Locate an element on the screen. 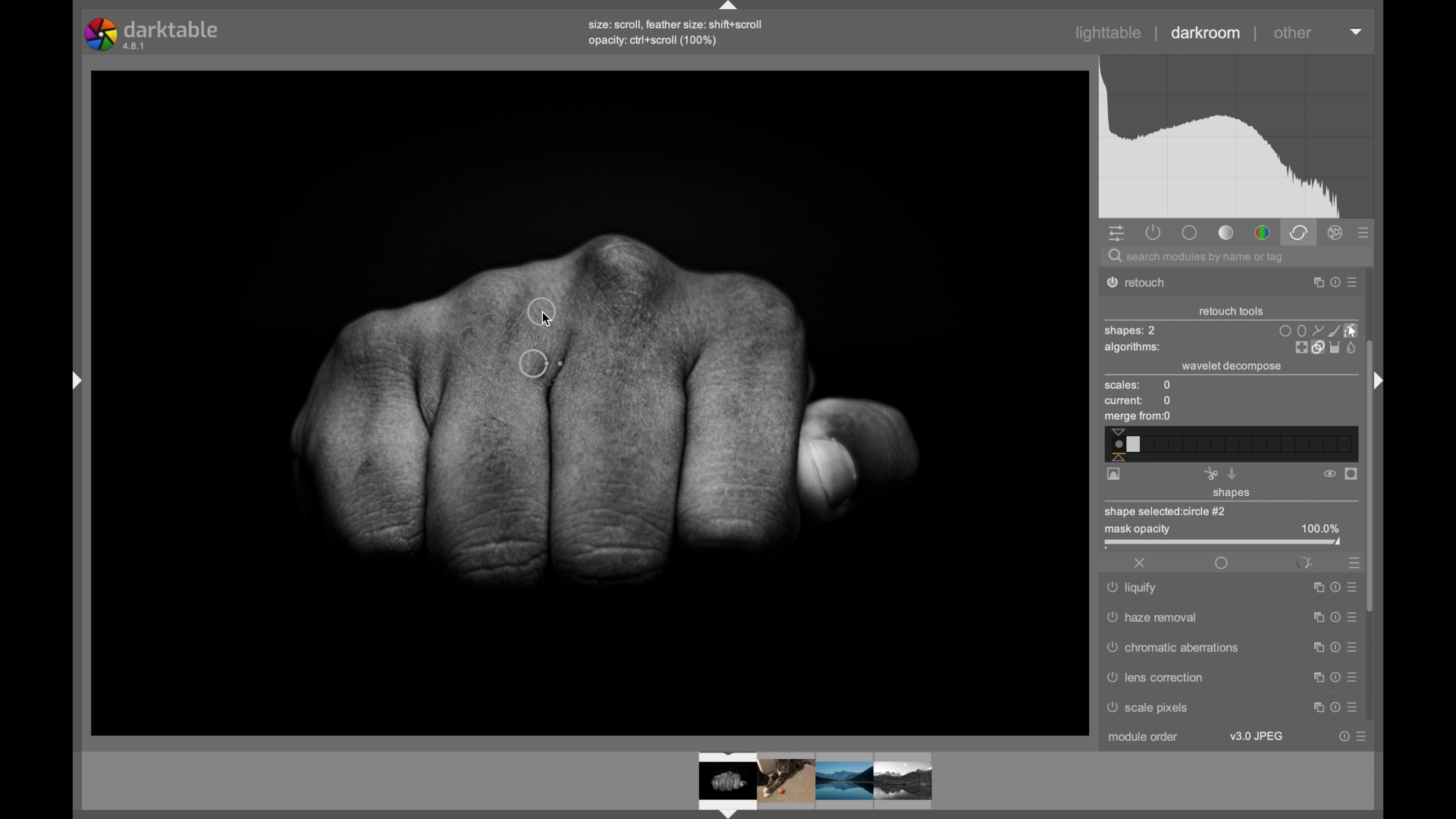 The height and width of the screenshot is (819, 1456). help is located at coordinates (1332, 676).